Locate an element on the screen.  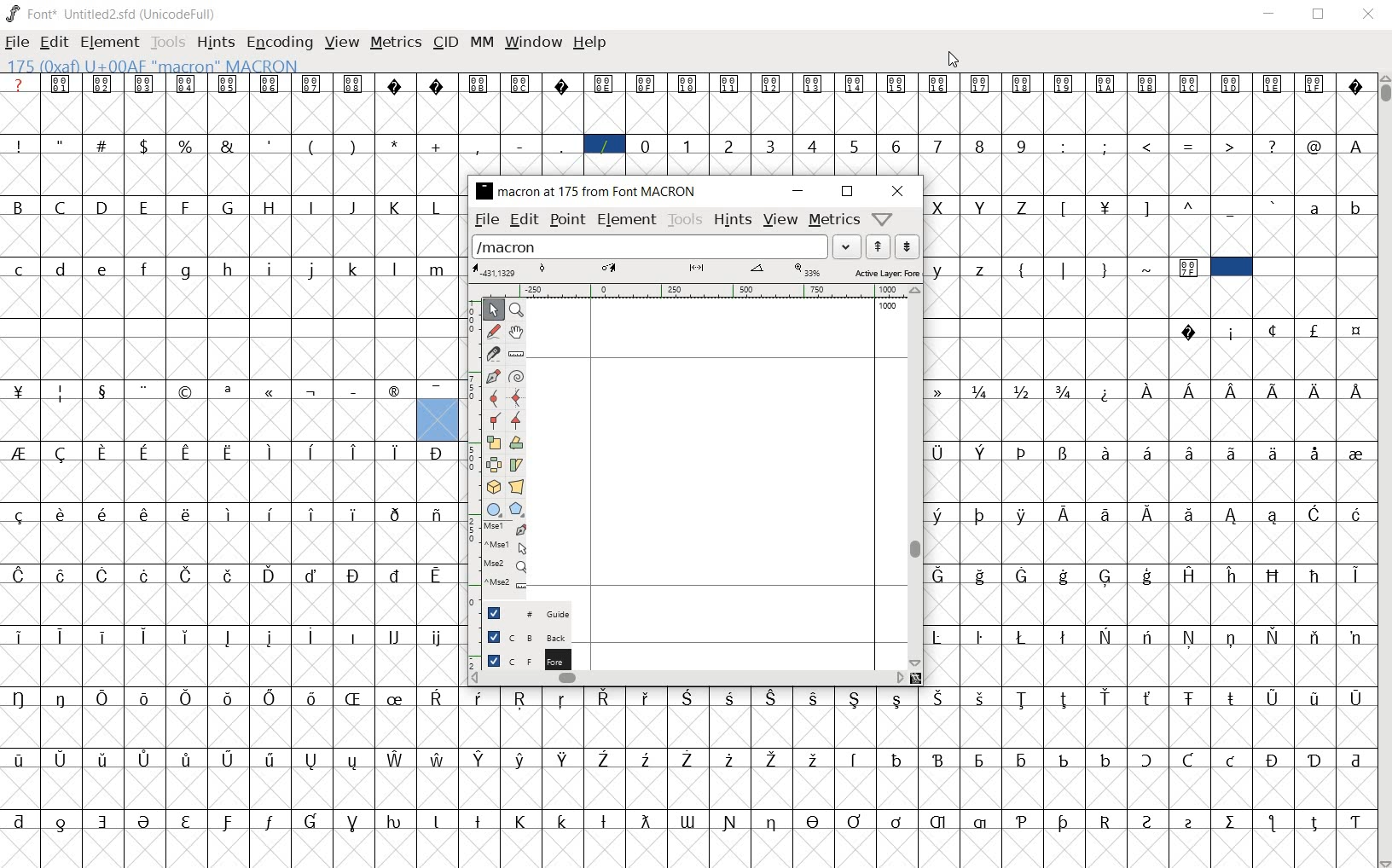
Symbol is located at coordinates (1232, 333).